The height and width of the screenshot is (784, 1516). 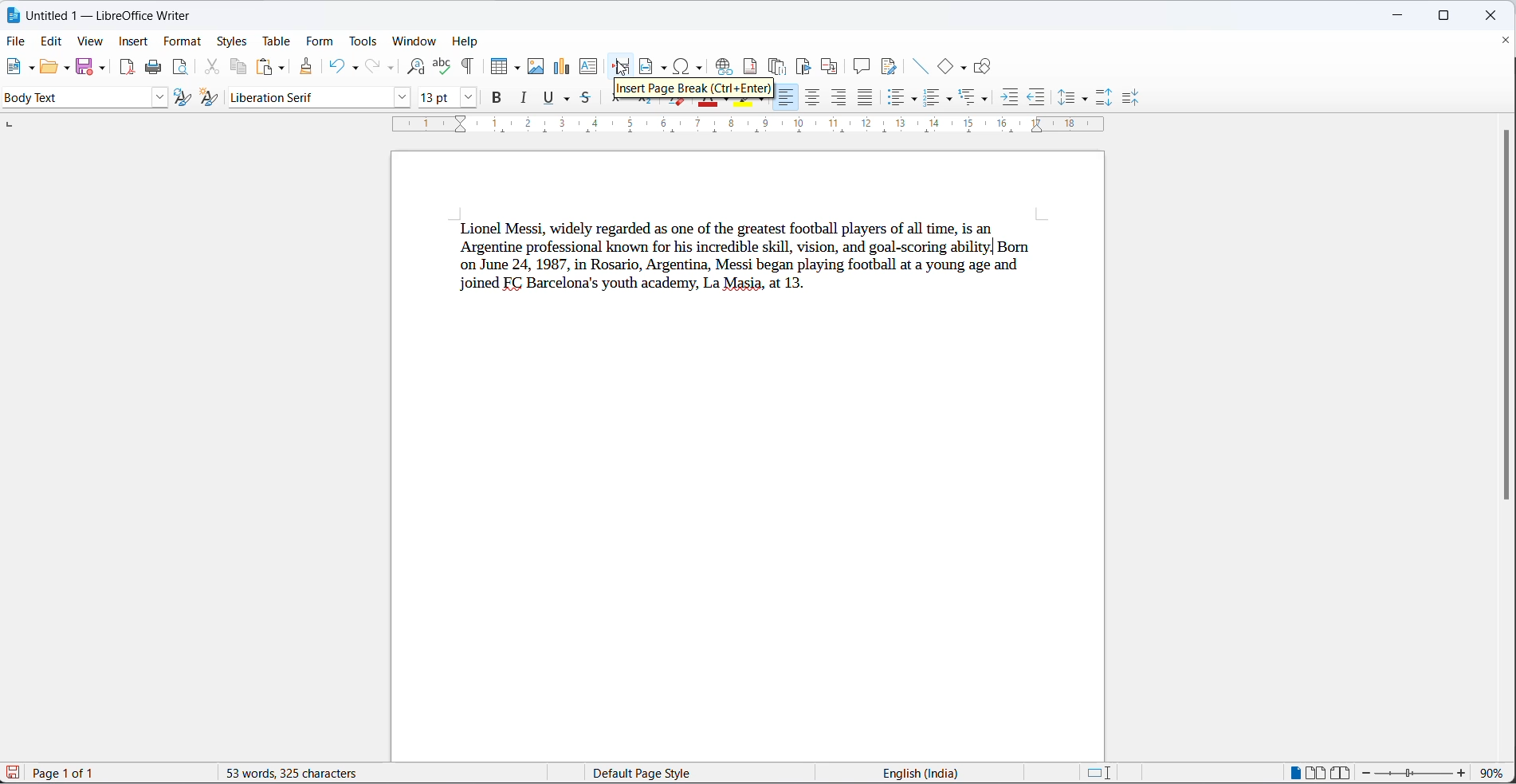 I want to click on book view, so click(x=1341, y=774).